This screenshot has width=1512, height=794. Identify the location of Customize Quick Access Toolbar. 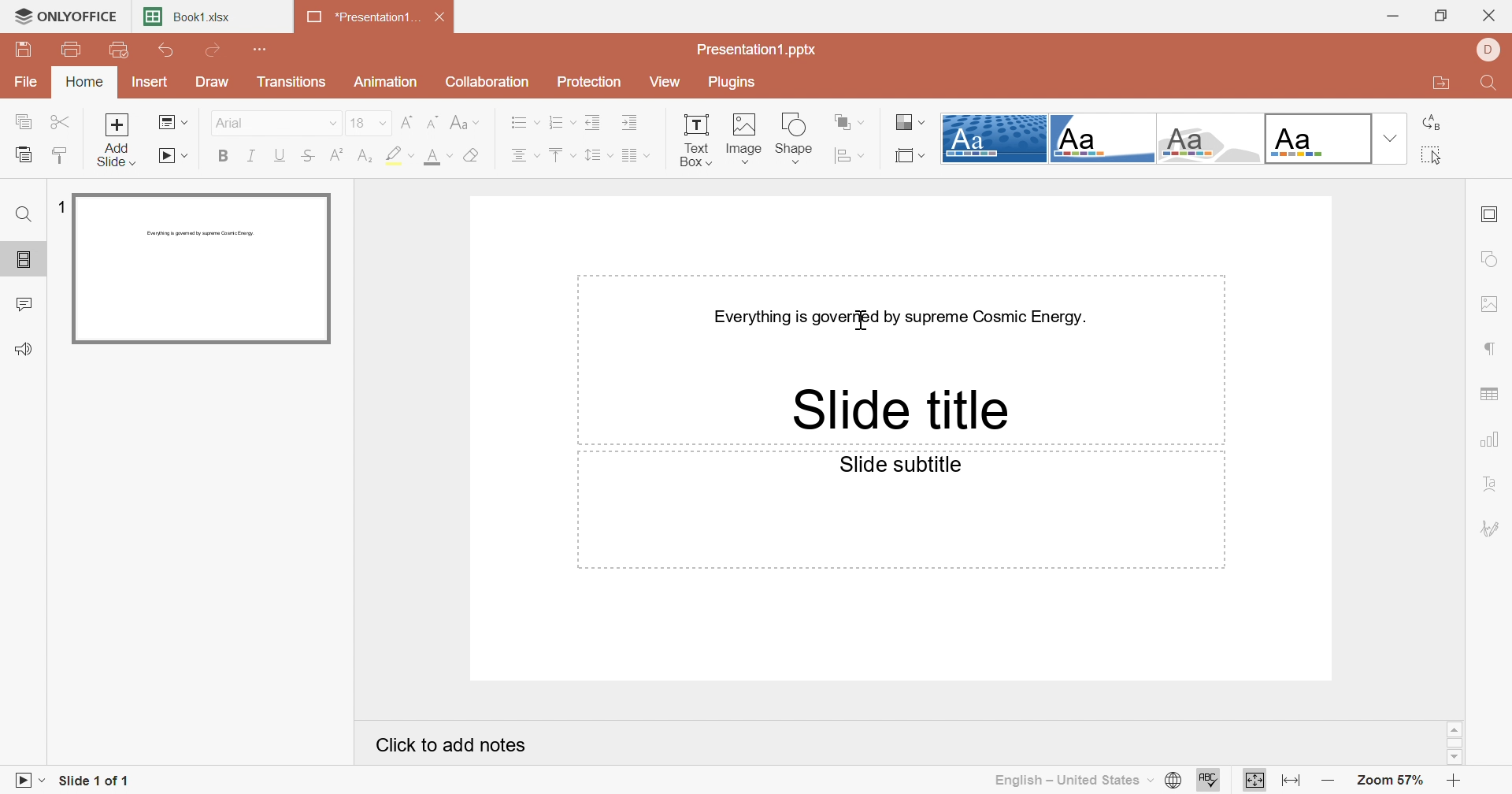
(267, 50).